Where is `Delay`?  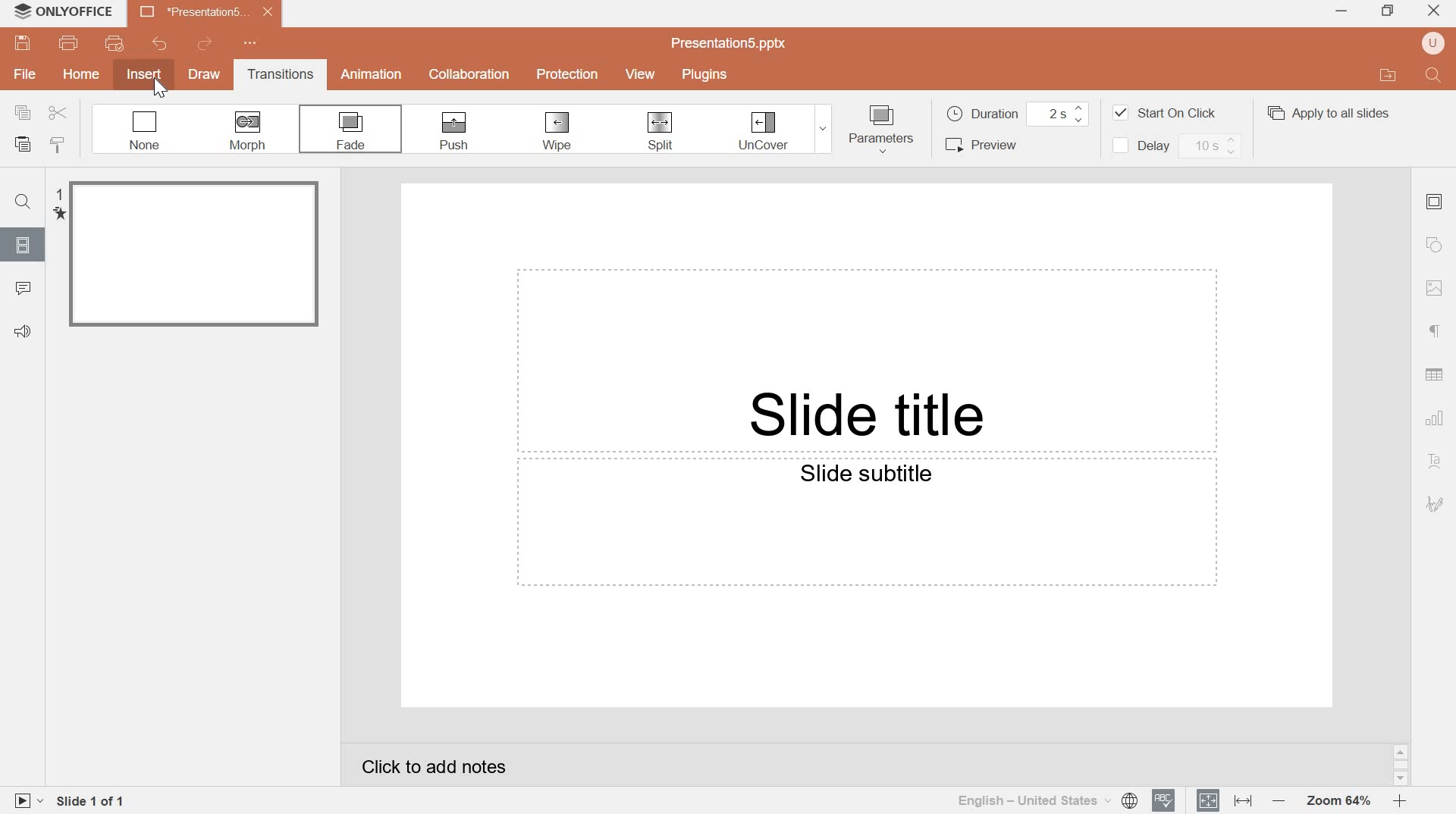 Delay is located at coordinates (1174, 146).